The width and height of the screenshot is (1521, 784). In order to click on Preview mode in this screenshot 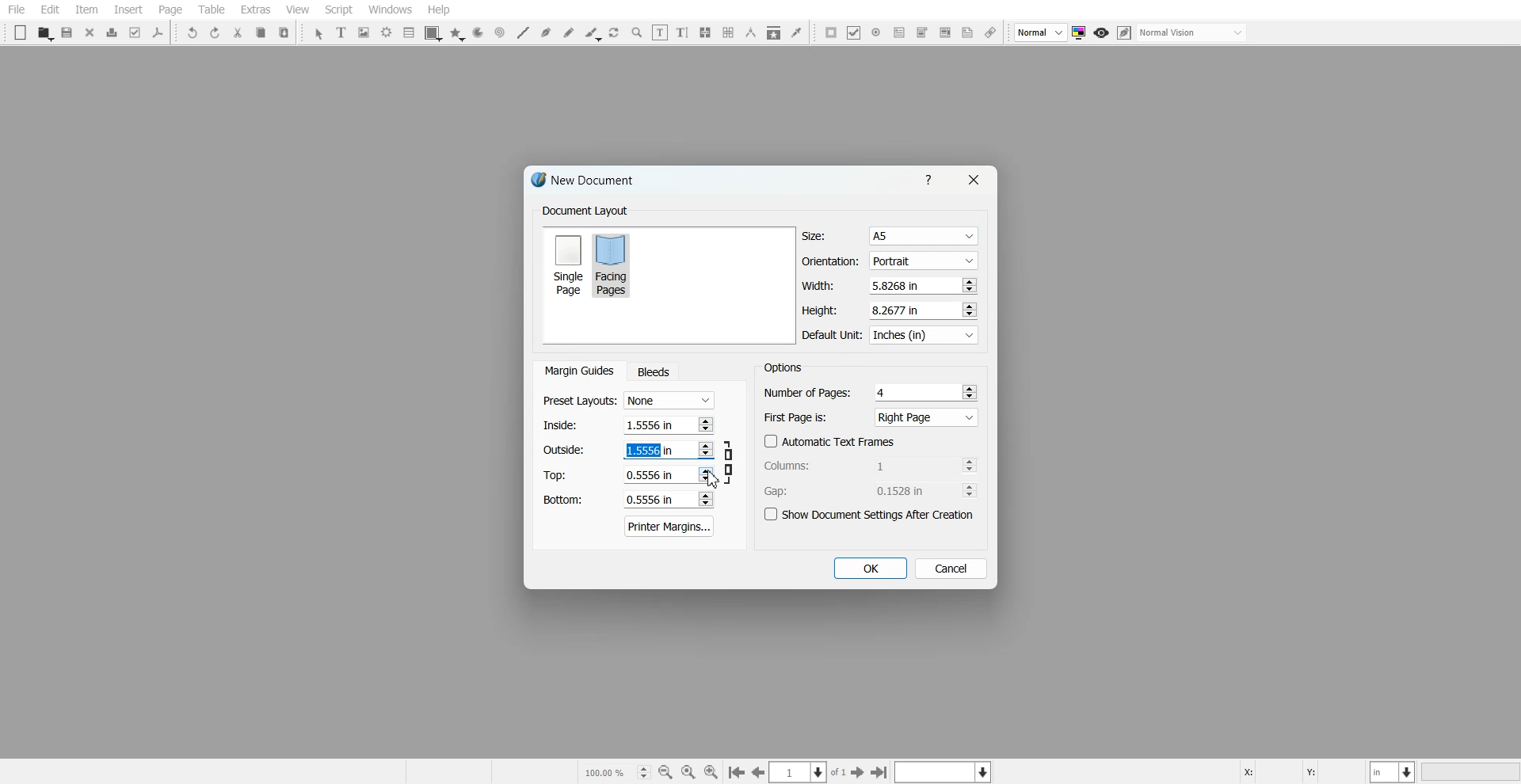, I will do `click(1102, 33)`.